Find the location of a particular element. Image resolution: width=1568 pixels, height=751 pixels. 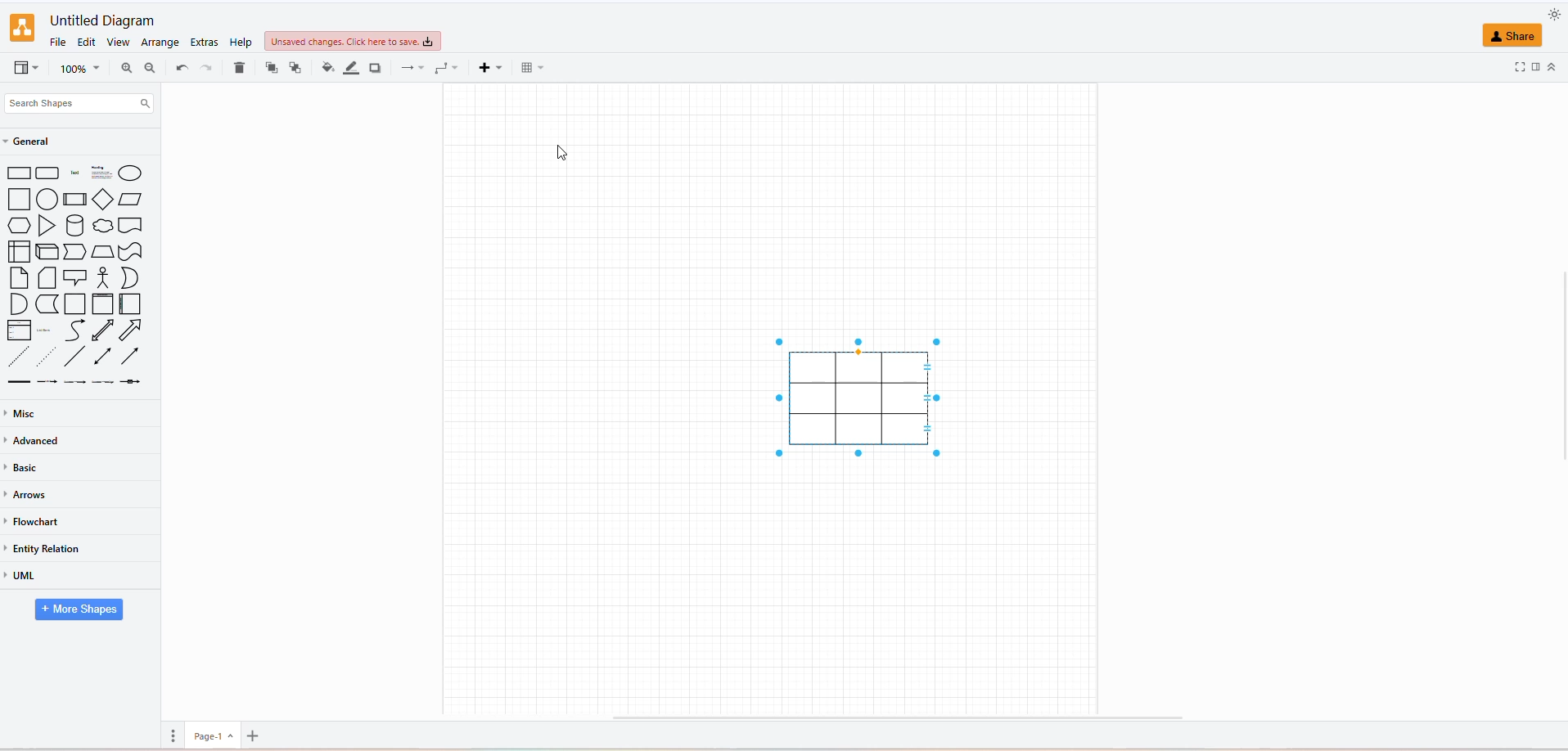

advanced is located at coordinates (36, 442).